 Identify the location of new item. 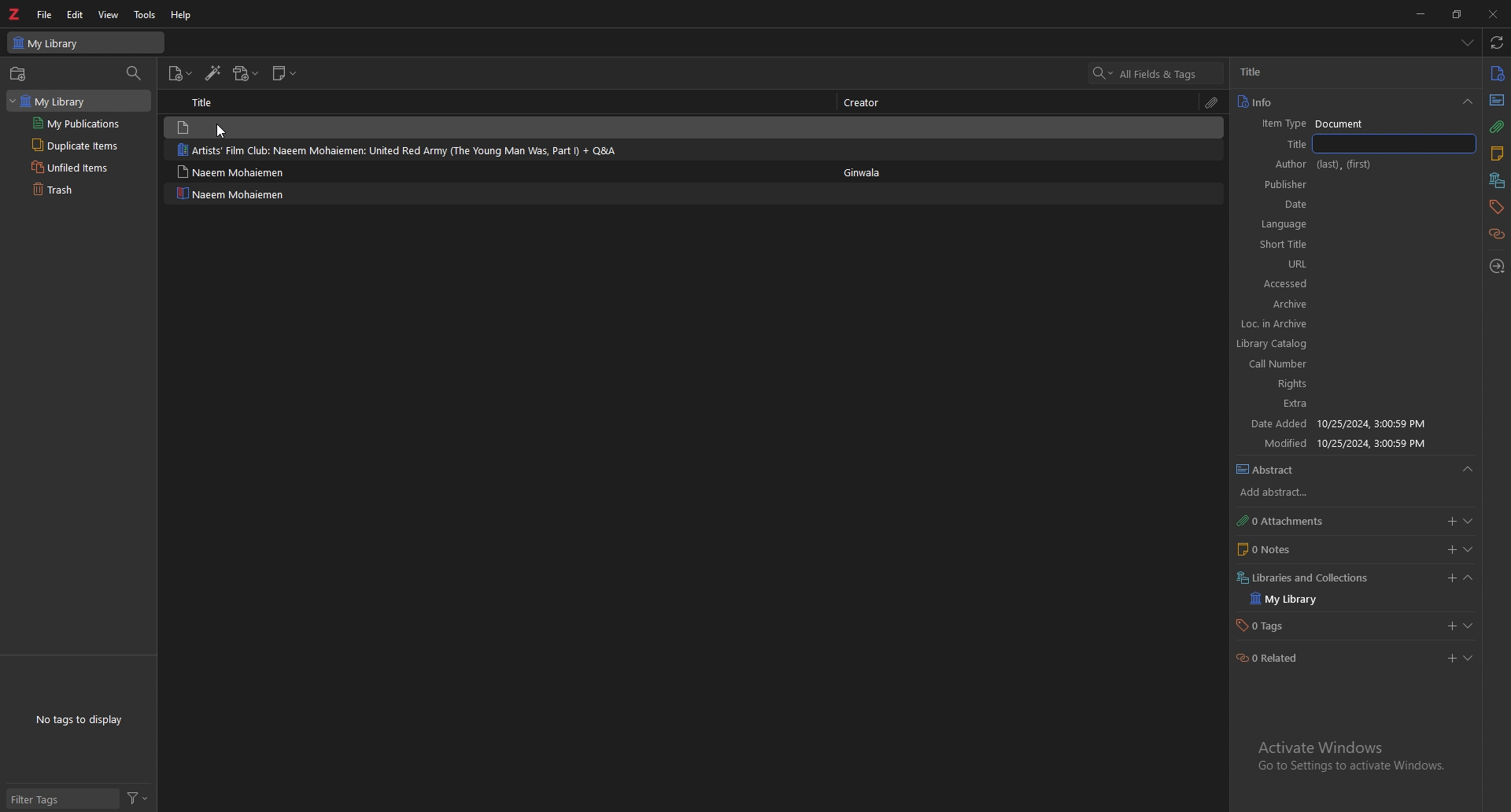
(181, 74).